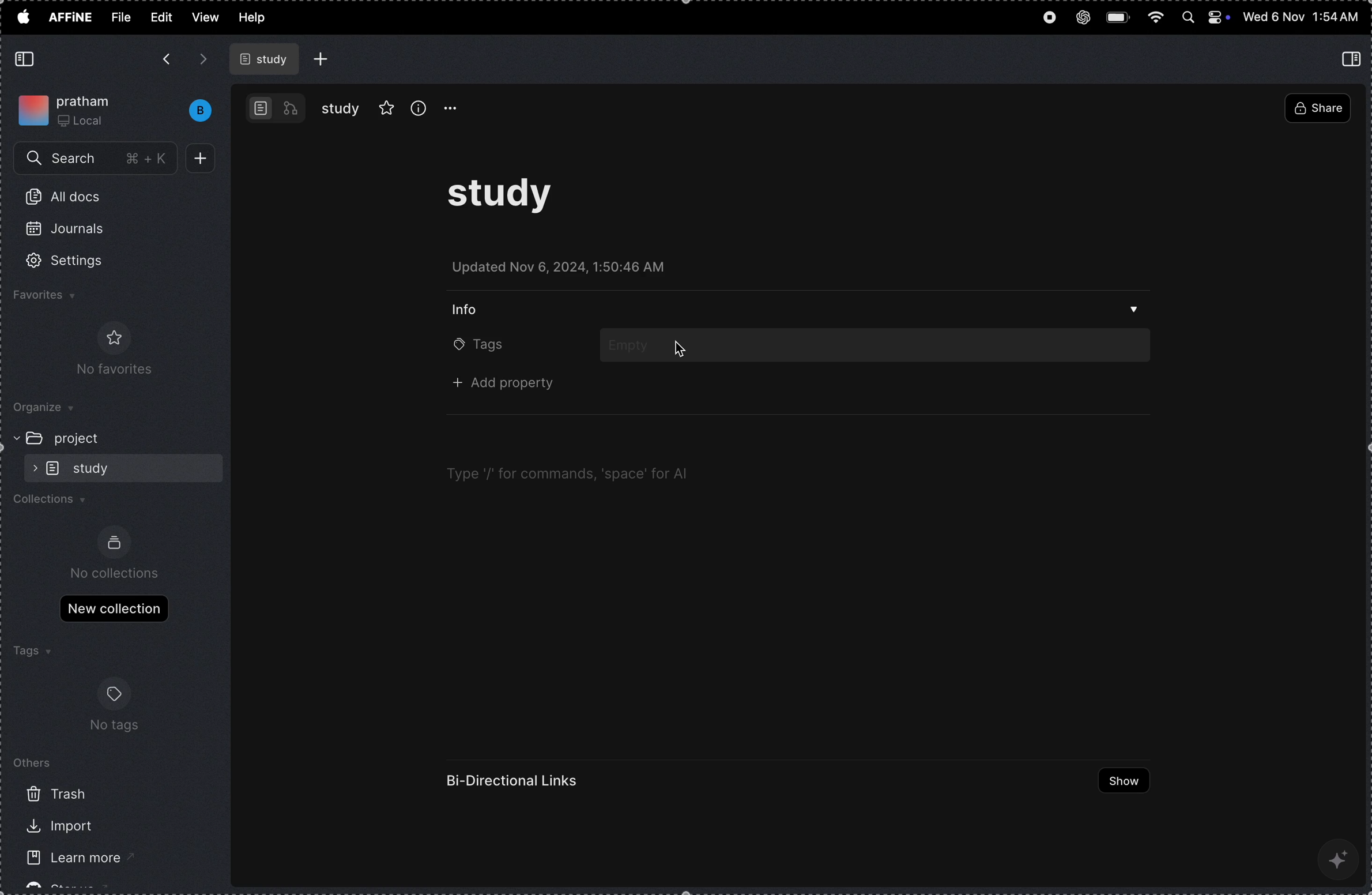  What do you see at coordinates (569, 270) in the screenshot?
I see `updated` at bounding box center [569, 270].